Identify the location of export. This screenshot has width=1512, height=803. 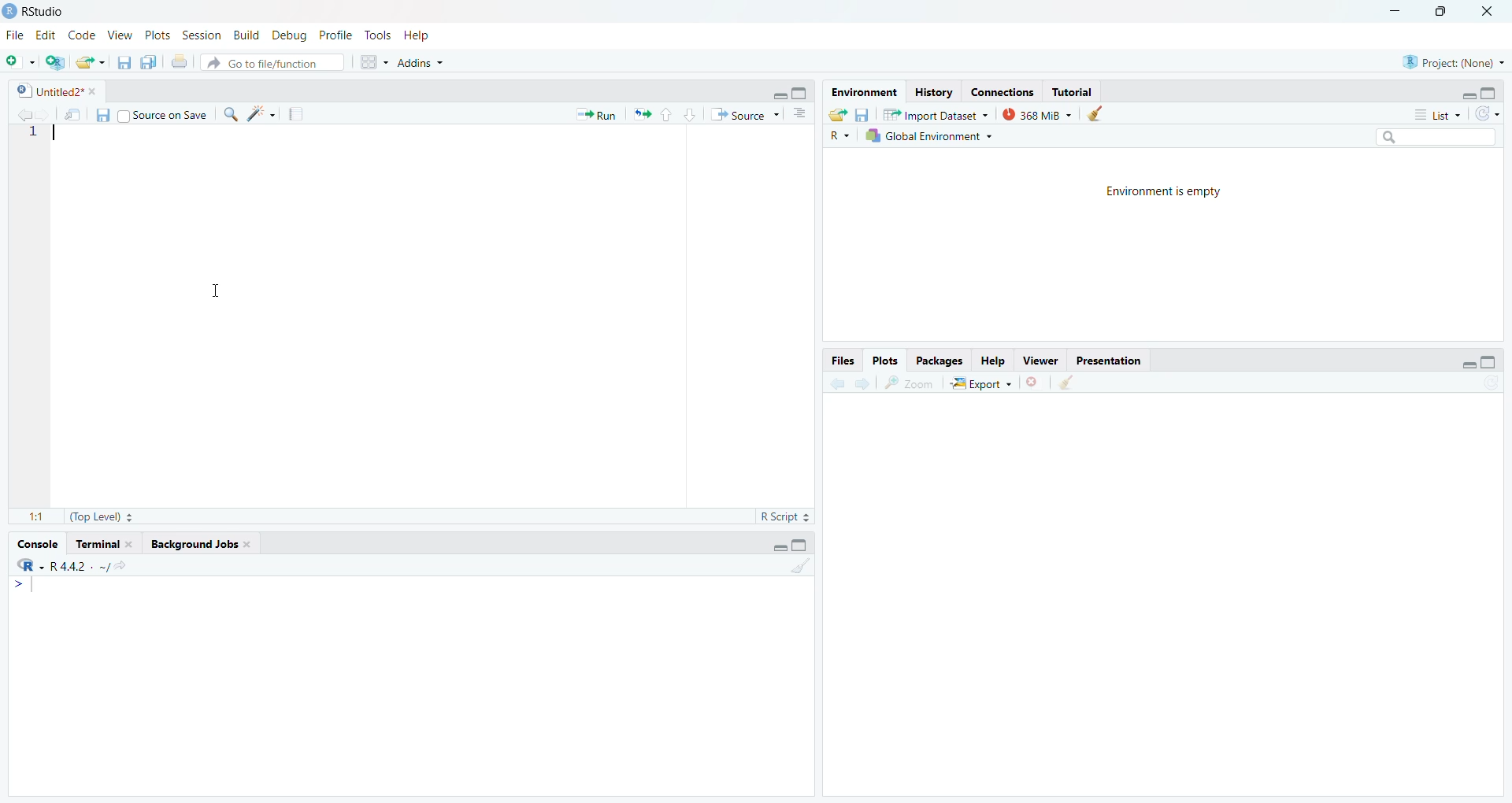
(93, 63).